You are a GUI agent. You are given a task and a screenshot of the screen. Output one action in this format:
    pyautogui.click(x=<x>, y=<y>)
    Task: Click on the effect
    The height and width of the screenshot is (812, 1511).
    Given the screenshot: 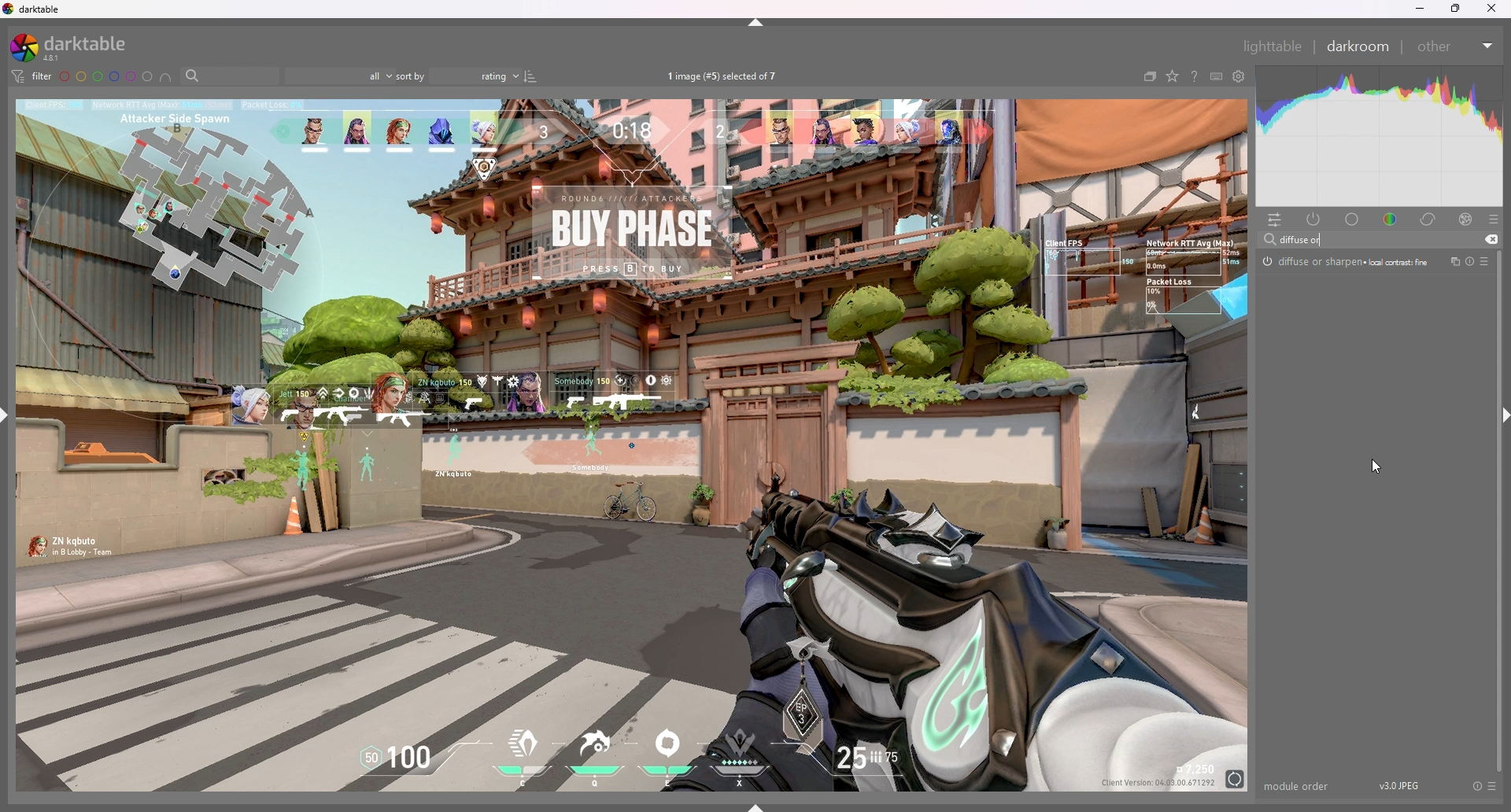 What is the action you would take?
    pyautogui.click(x=1465, y=219)
    